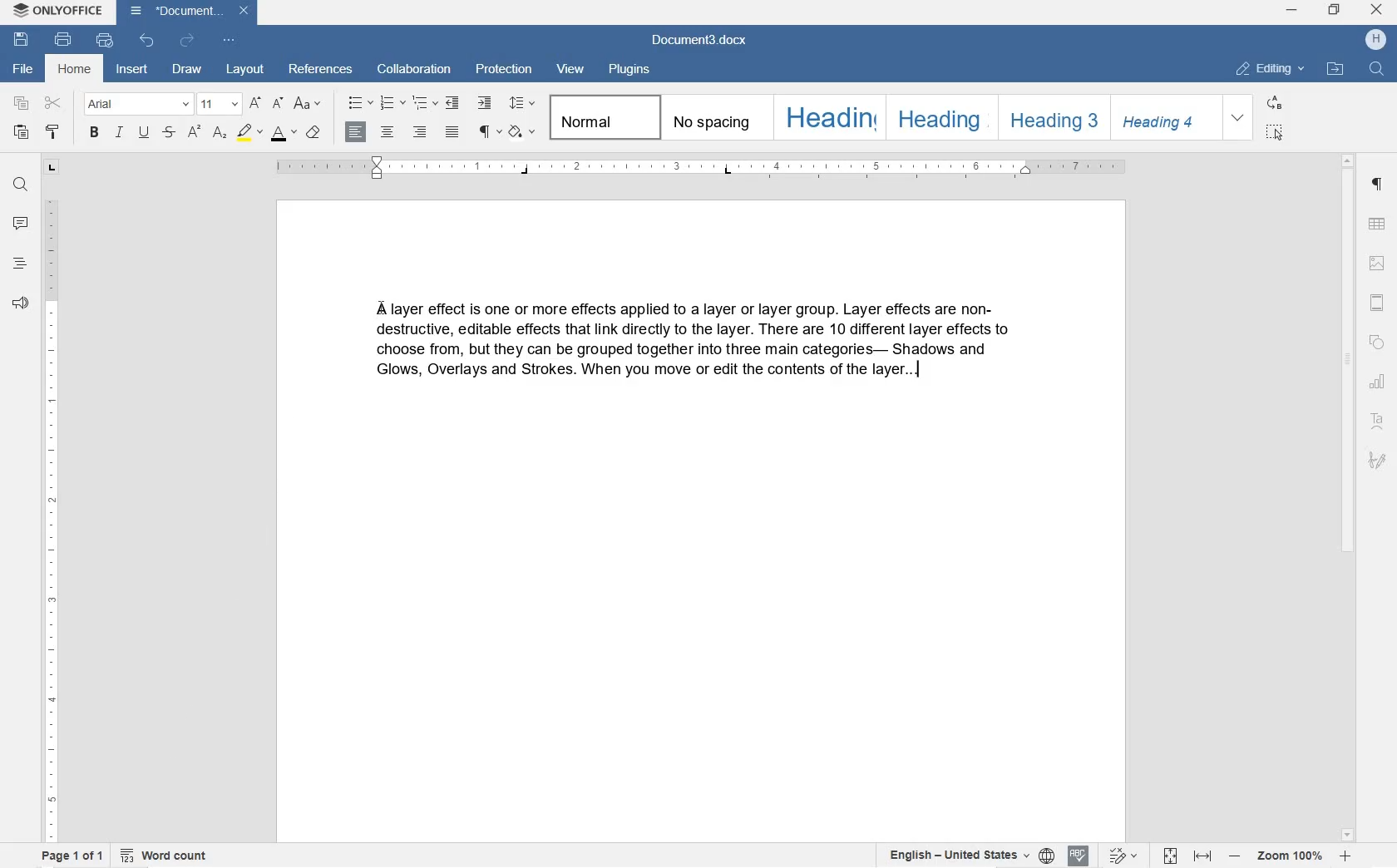 The image size is (1397, 868). Describe the element at coordinates (1291, 11) in the screenshot. I see `MINIMIZE` at that location.